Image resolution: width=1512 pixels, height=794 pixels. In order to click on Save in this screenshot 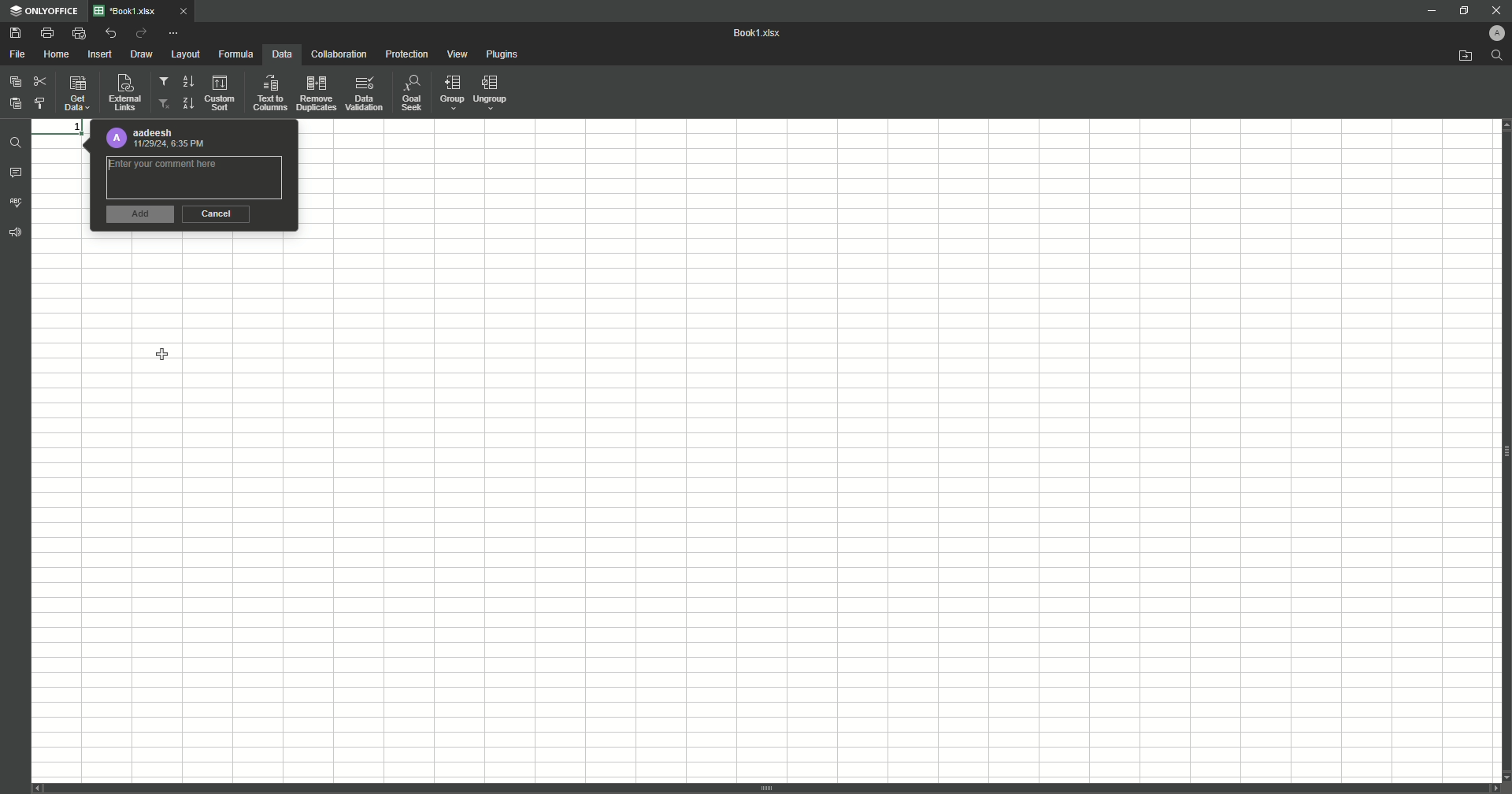, I will do `click(15, 34)`.